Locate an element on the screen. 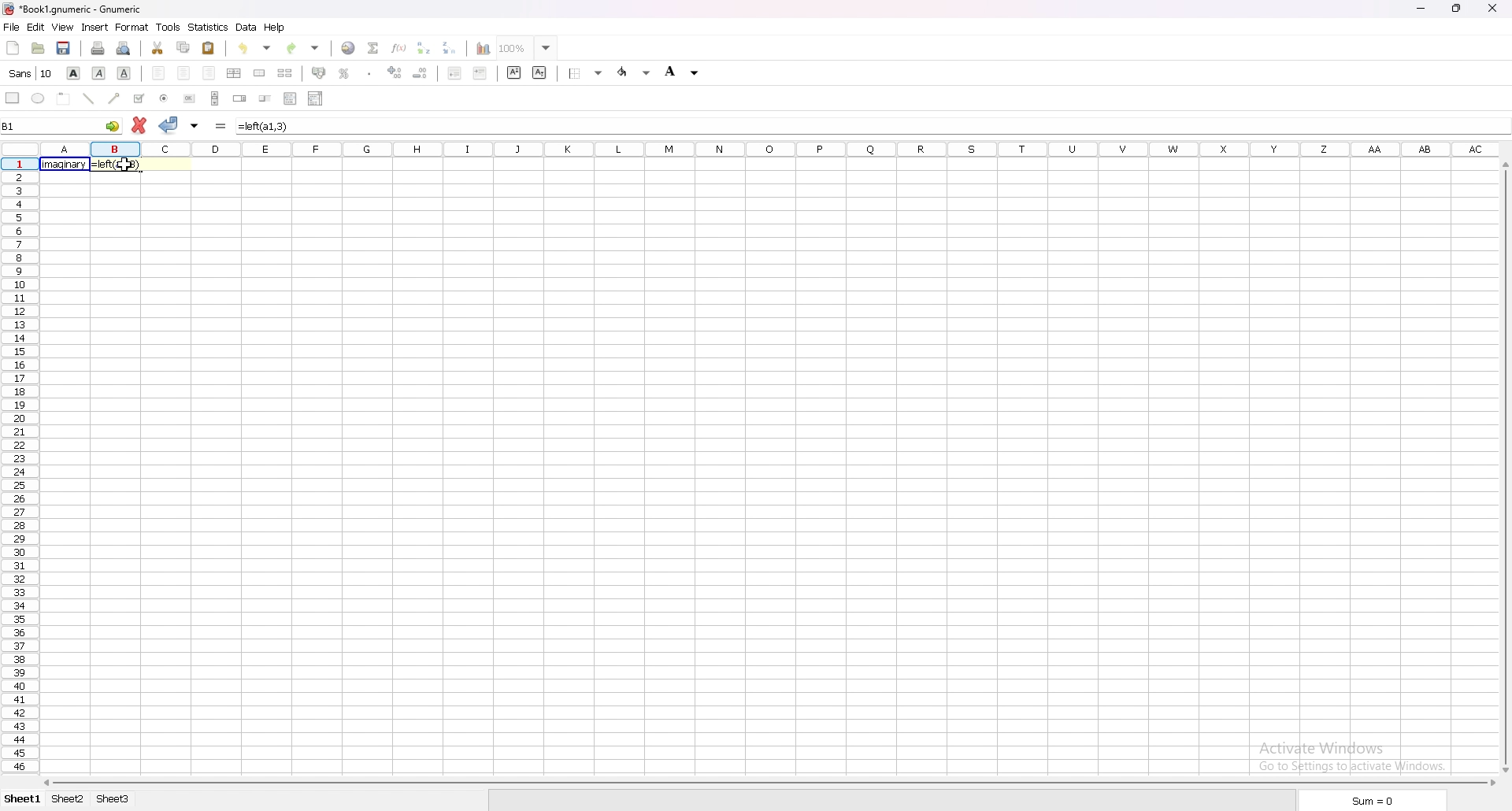  sort descending is located at coordinates (450, 48).